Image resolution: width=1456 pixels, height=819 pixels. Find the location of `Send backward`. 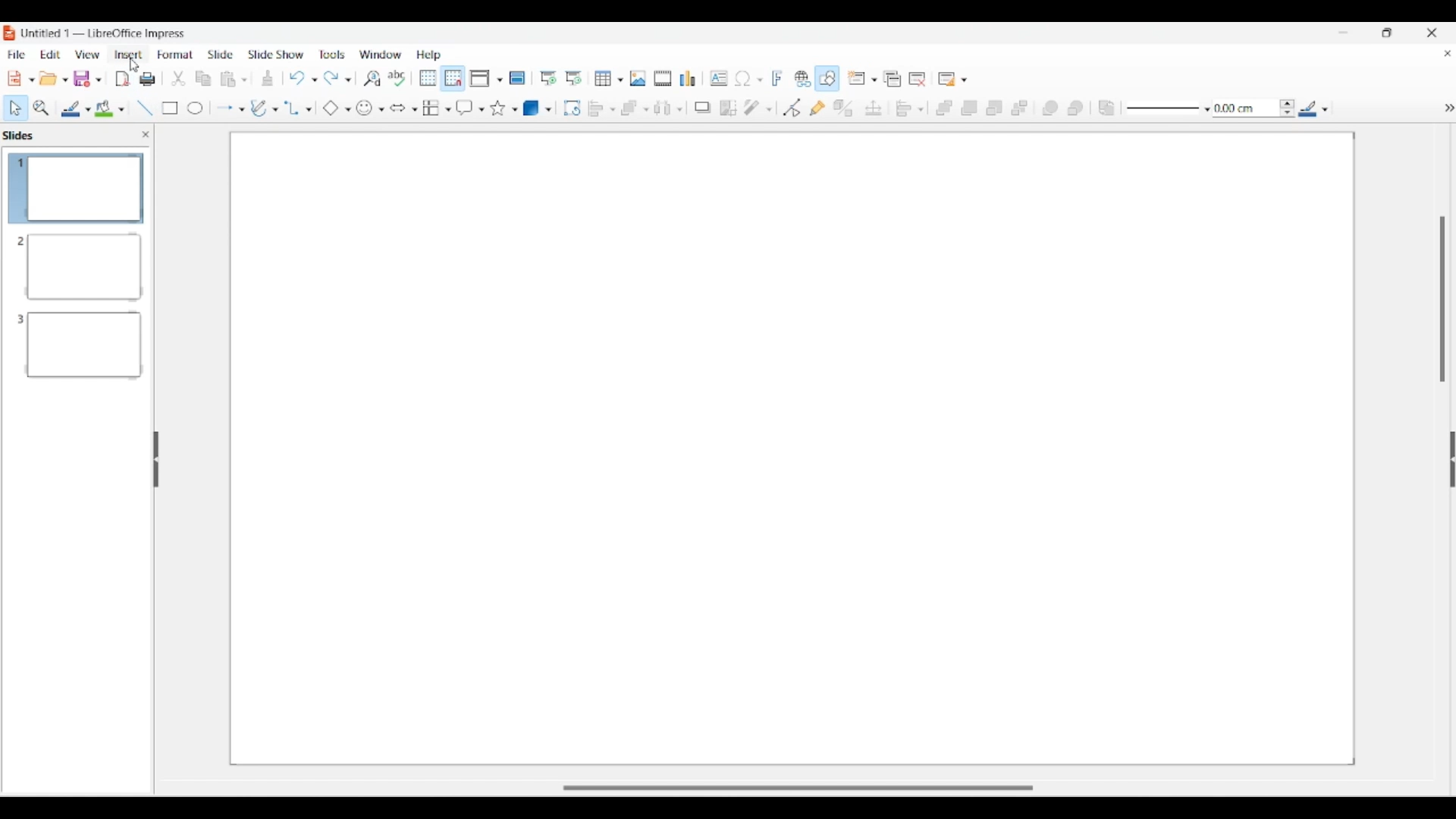

Send backward is located at coordinates (995, 108).